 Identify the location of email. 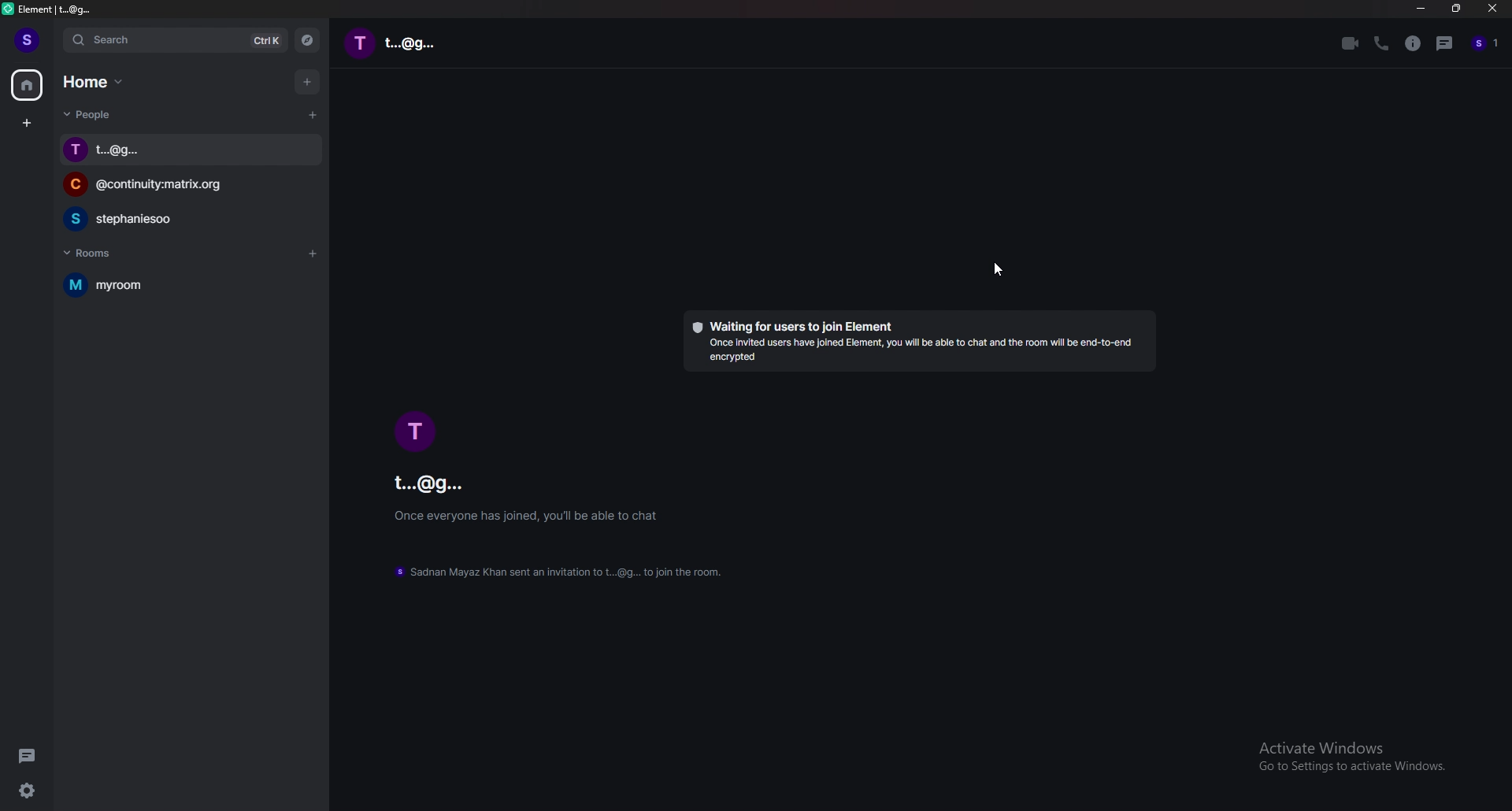
(452, 484).